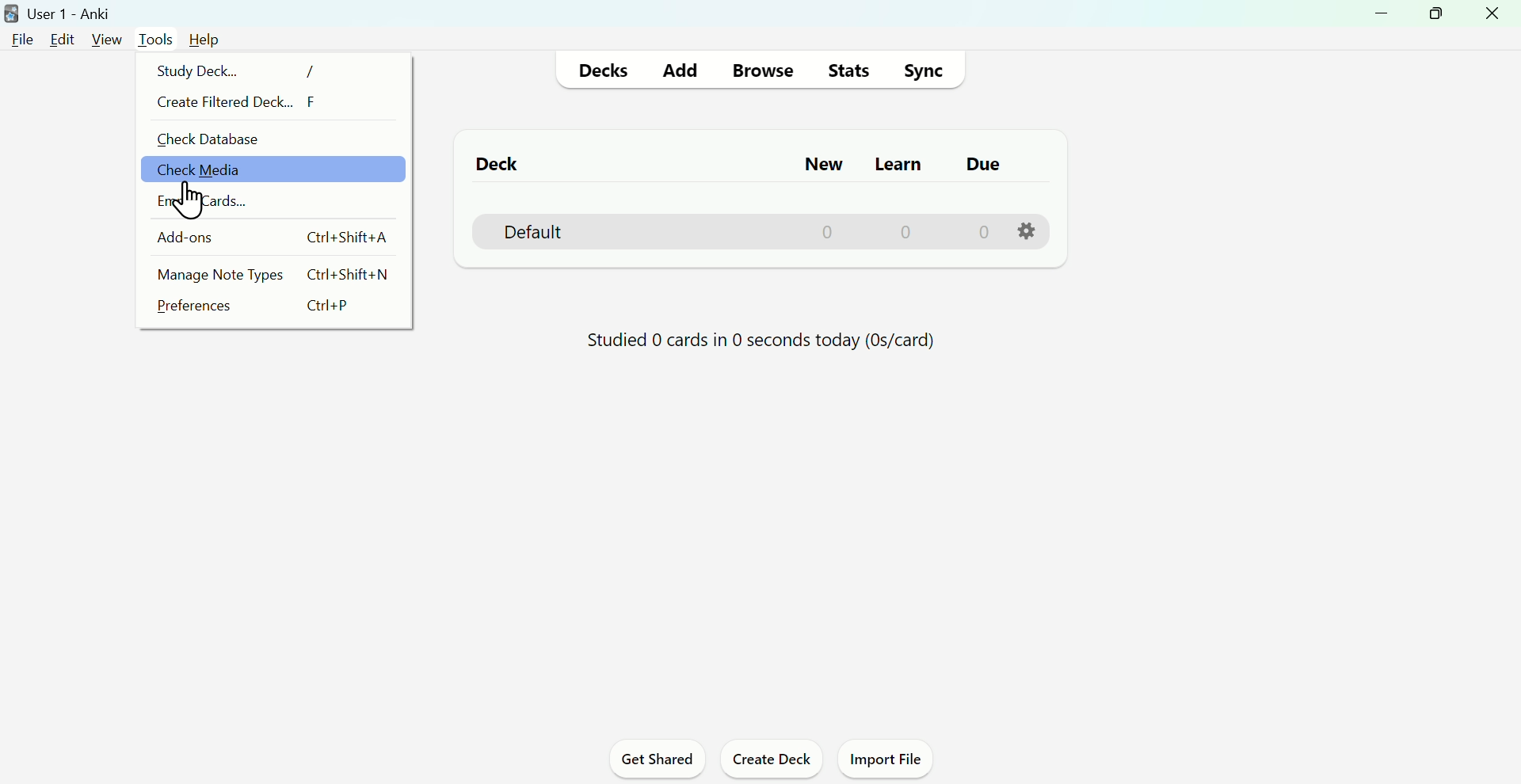 This screenshot has height=784, width=1521. Describe the element at coordinates (757, 232) in the screenshot. I see `Default ` at that location.